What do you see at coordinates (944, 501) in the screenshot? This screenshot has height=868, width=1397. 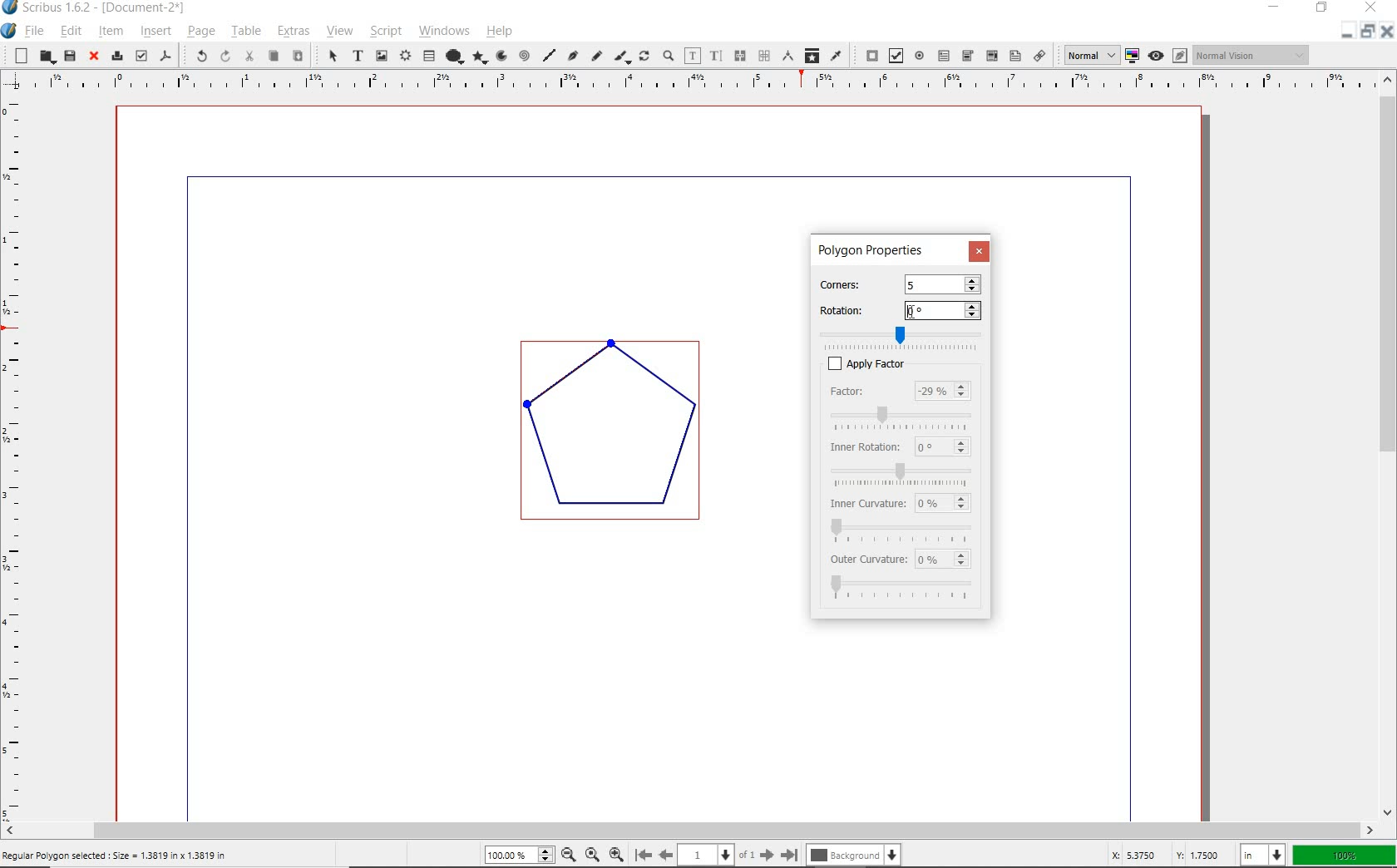 I see `inner curvature input` at bounding box center [944, 501].